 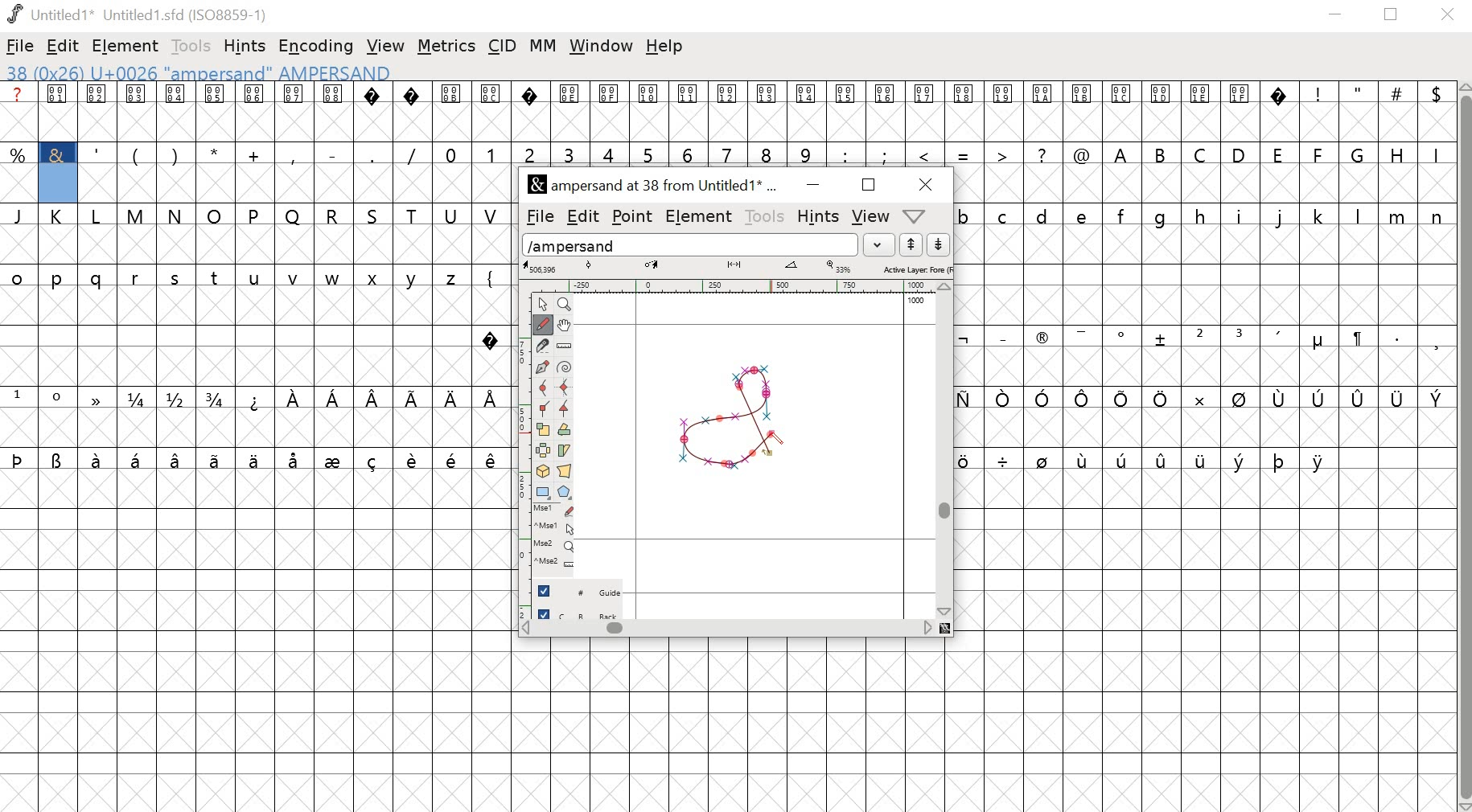 What do you see at coordinates (565, 367) in the screenshot?
I see `toggle spiral` at bounding box center [565, 367].